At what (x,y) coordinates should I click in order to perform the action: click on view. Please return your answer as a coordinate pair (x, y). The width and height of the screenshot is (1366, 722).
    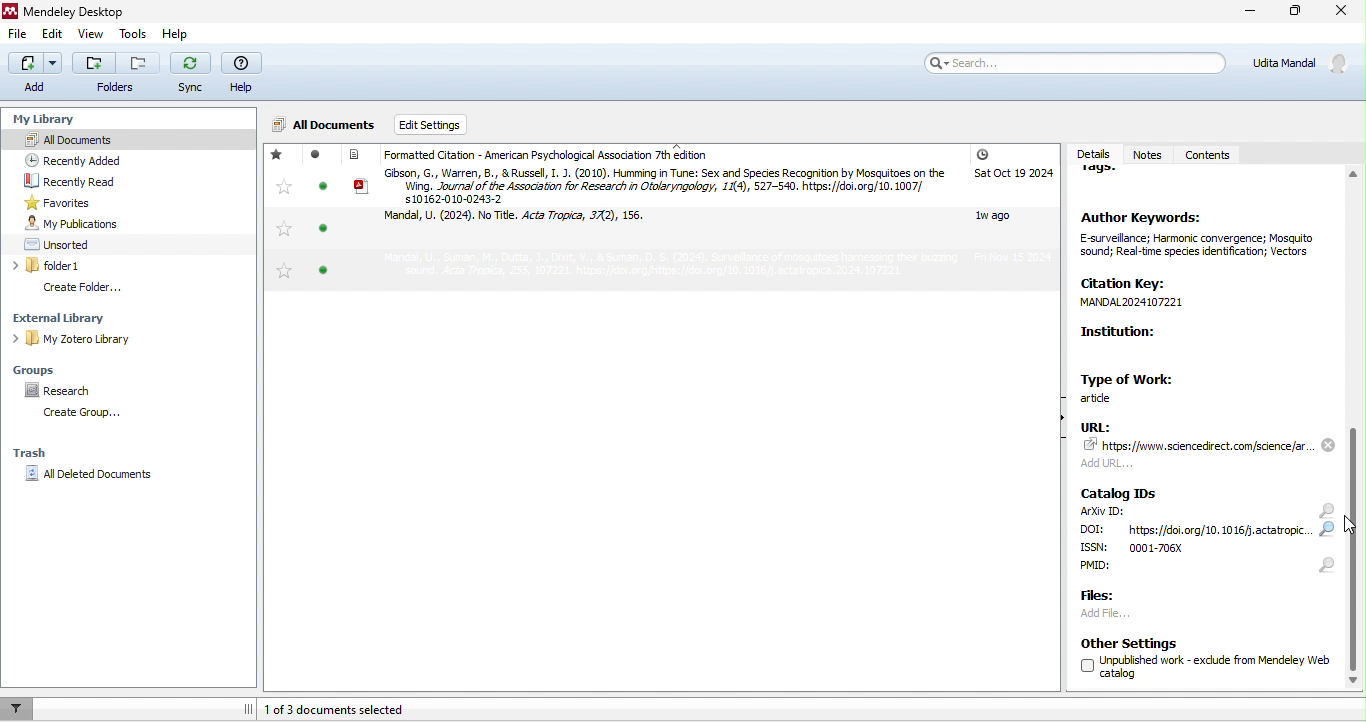
    Looking at the image, I should click on (88, 36).